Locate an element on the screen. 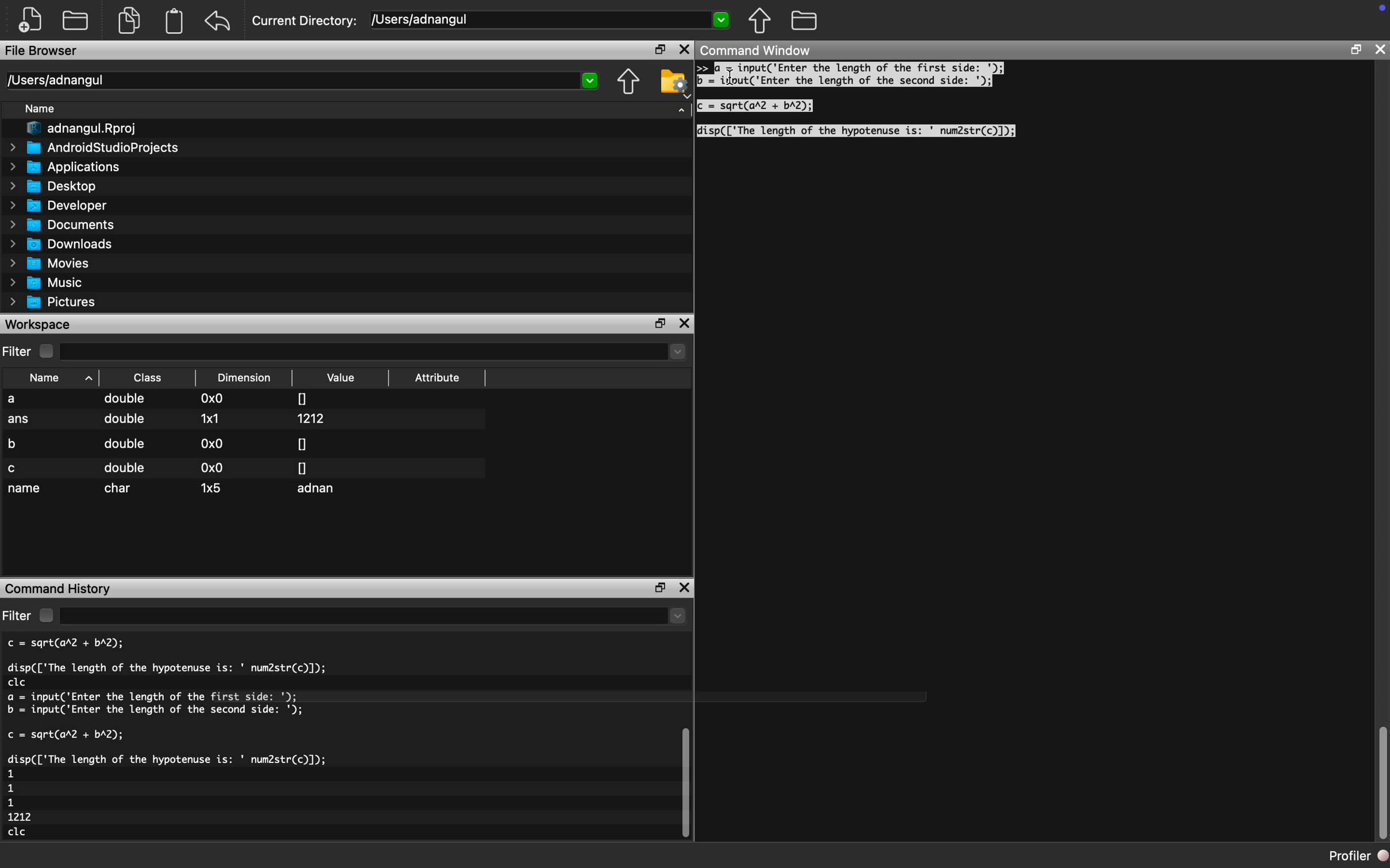 The height and width of the screenshot is (868, 1390). 0x0 is located at coordinates (214, 400).